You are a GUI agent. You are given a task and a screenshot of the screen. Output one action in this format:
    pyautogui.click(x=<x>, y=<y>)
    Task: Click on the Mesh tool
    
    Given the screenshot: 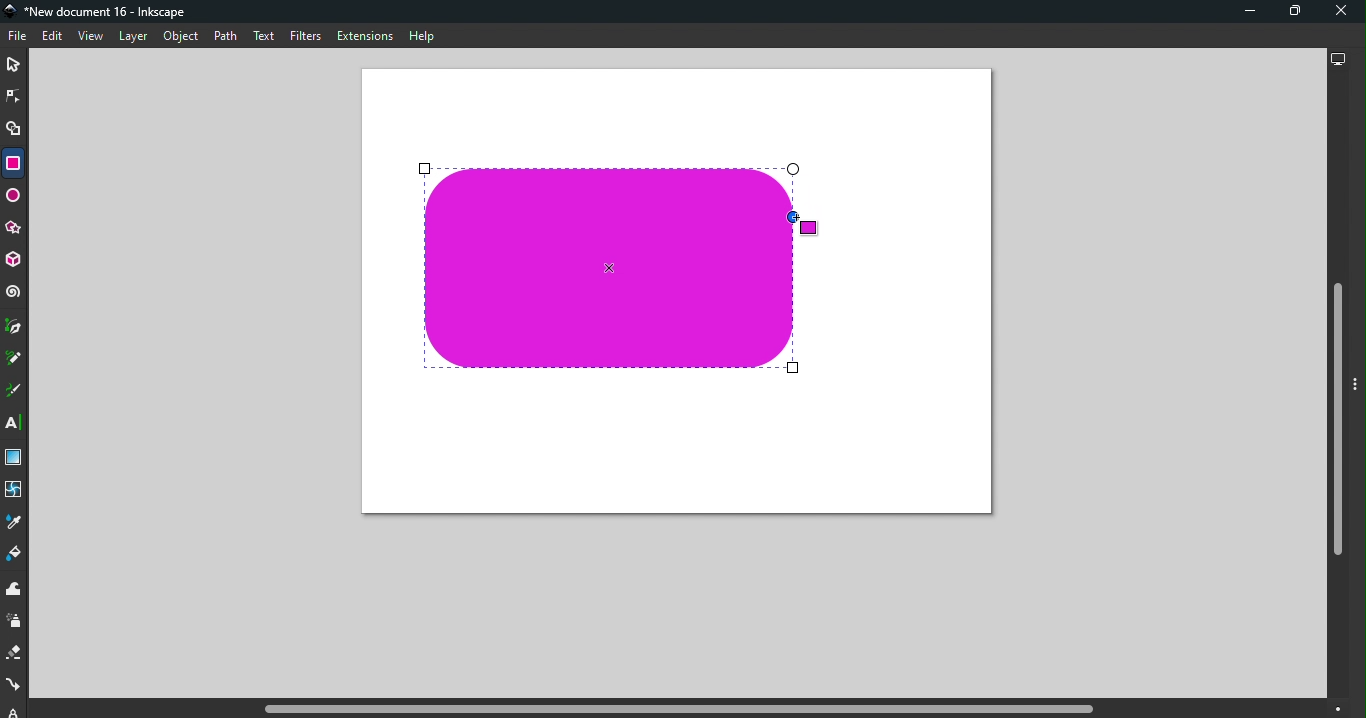 What is the action you would take?
    pyautogui.click(x=15, y=491)
    